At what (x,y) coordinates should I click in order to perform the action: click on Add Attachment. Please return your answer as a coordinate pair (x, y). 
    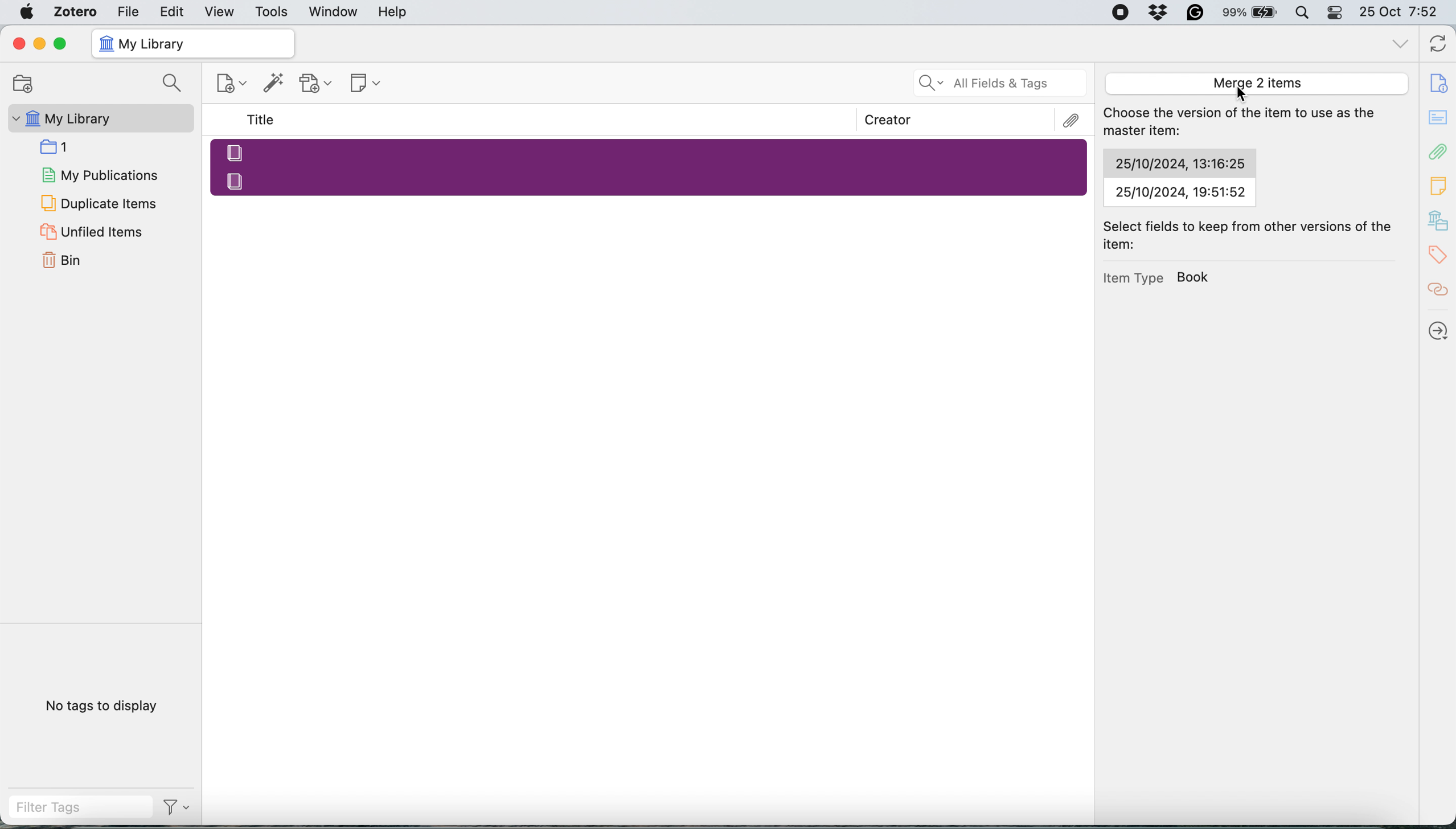
    Looking at the image, I should click on (316, 84).